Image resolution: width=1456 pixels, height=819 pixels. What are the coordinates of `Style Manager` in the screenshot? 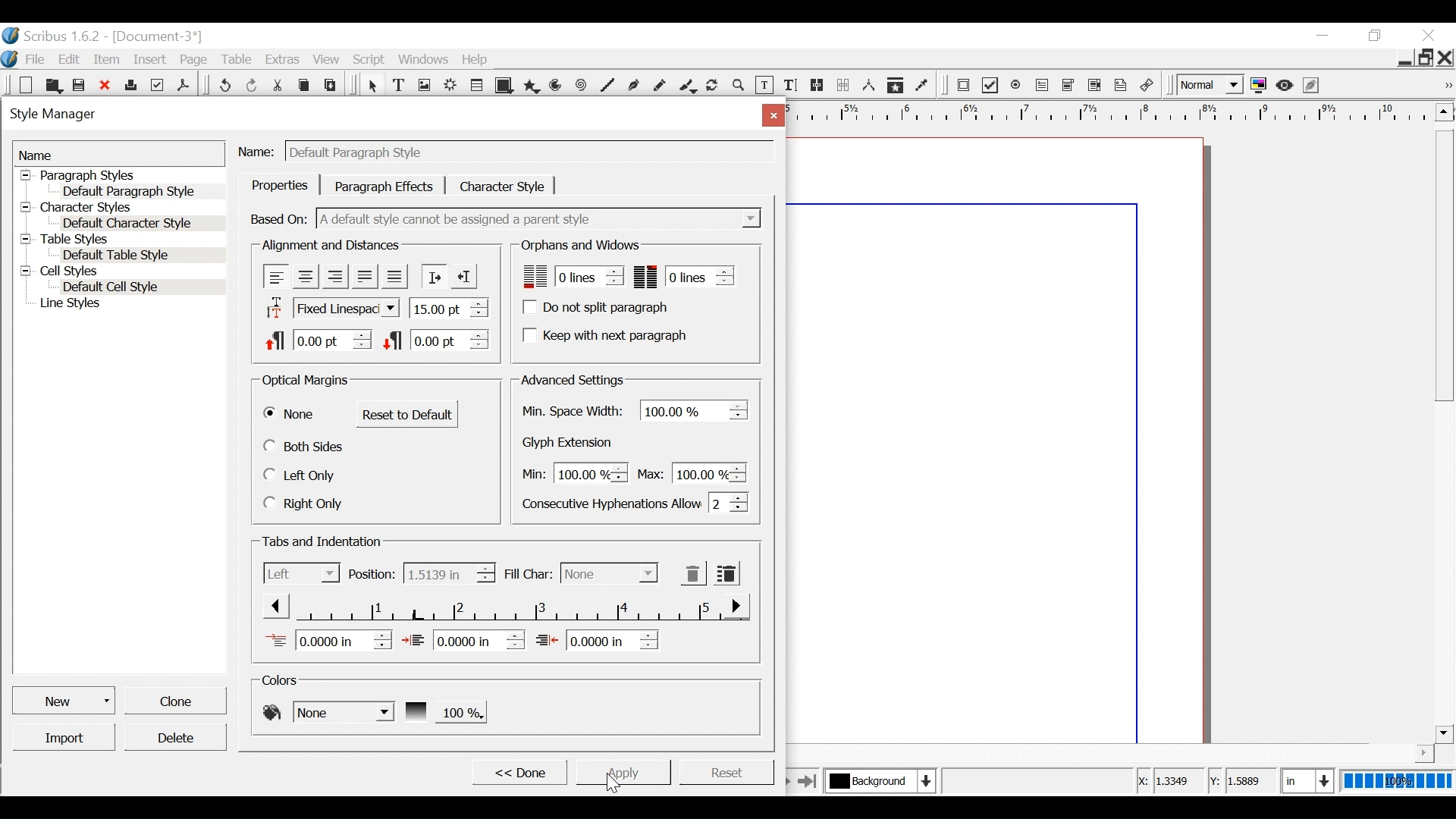 It's located at (374, 116).